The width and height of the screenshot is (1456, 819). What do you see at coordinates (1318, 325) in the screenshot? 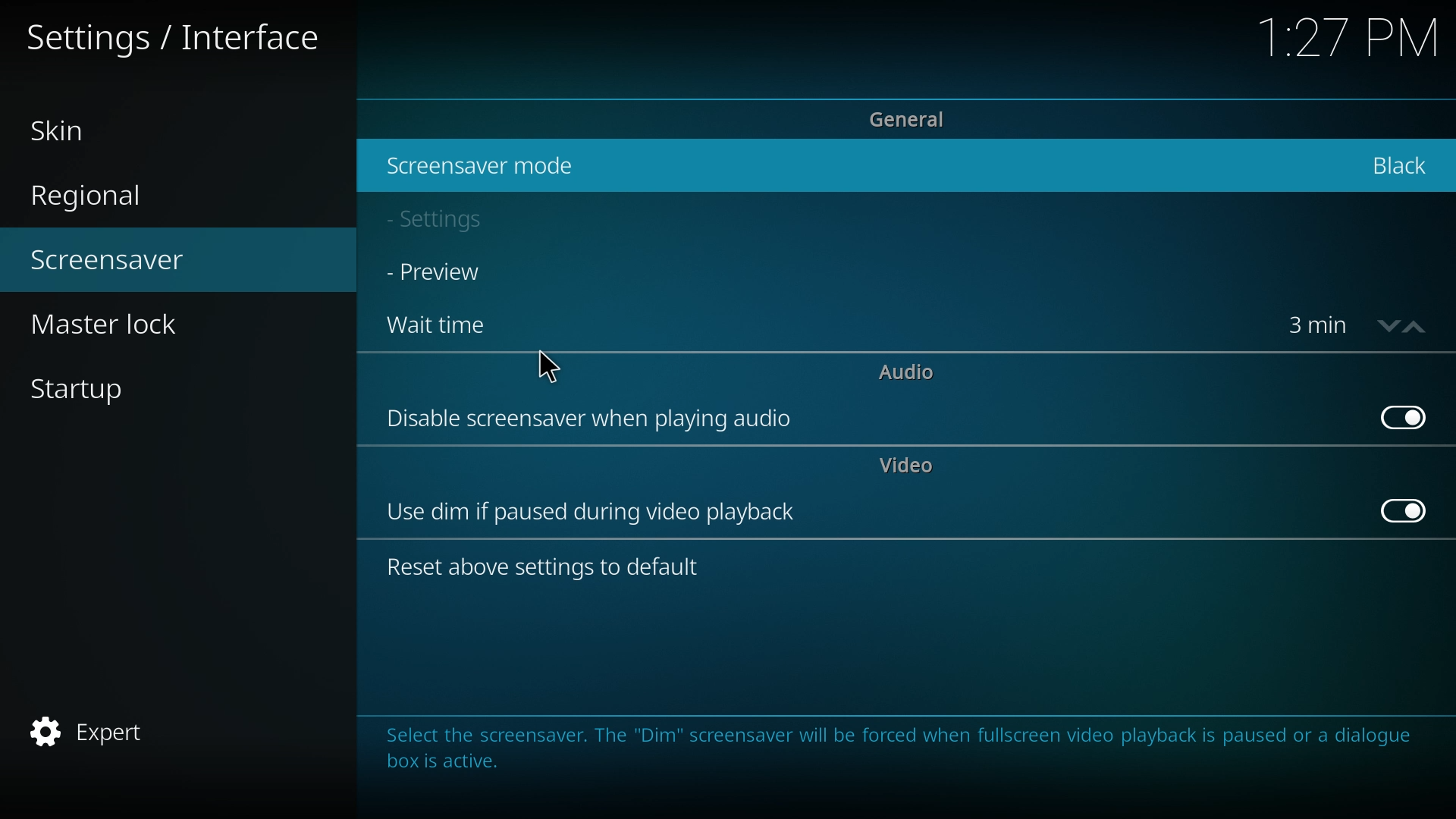
I see `time` at bounding box center [1318, 325].